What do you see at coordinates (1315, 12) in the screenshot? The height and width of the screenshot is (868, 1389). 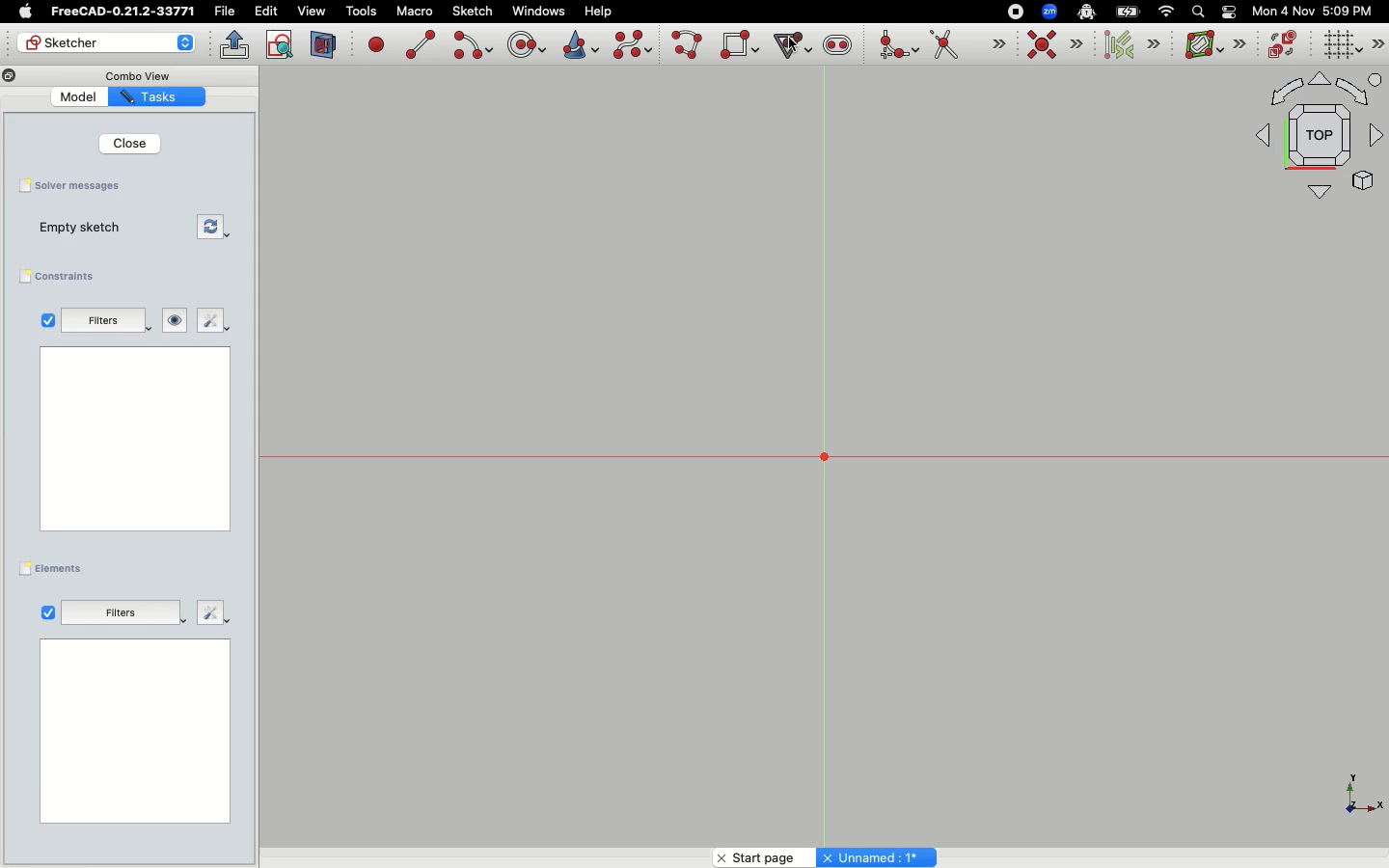 I see `Mon 4 Nov 5:09 PM` at bounding box center [1315, 12].